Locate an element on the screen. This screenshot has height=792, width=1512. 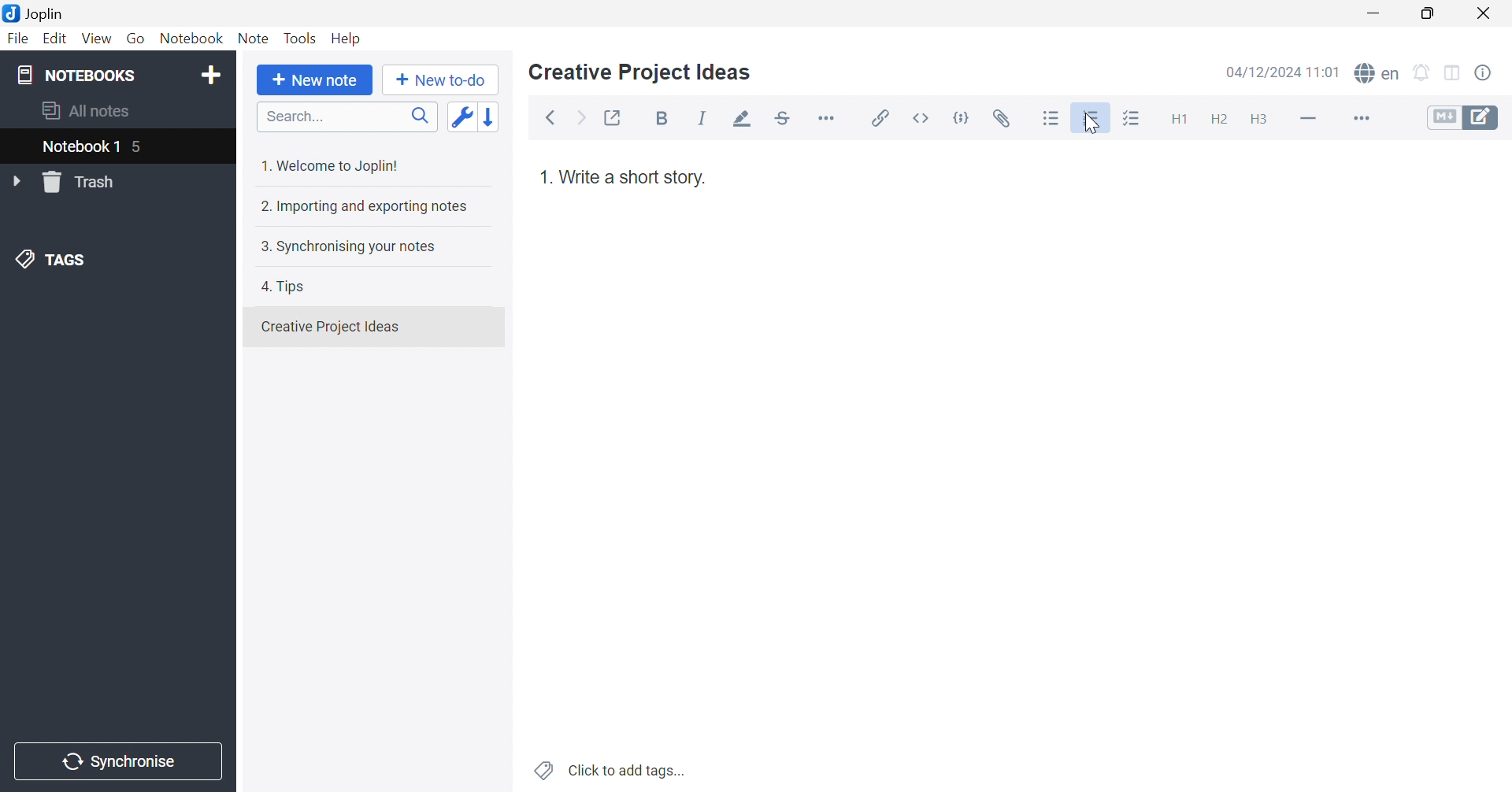
Heading 3 is located at coordinates (1259, 122).